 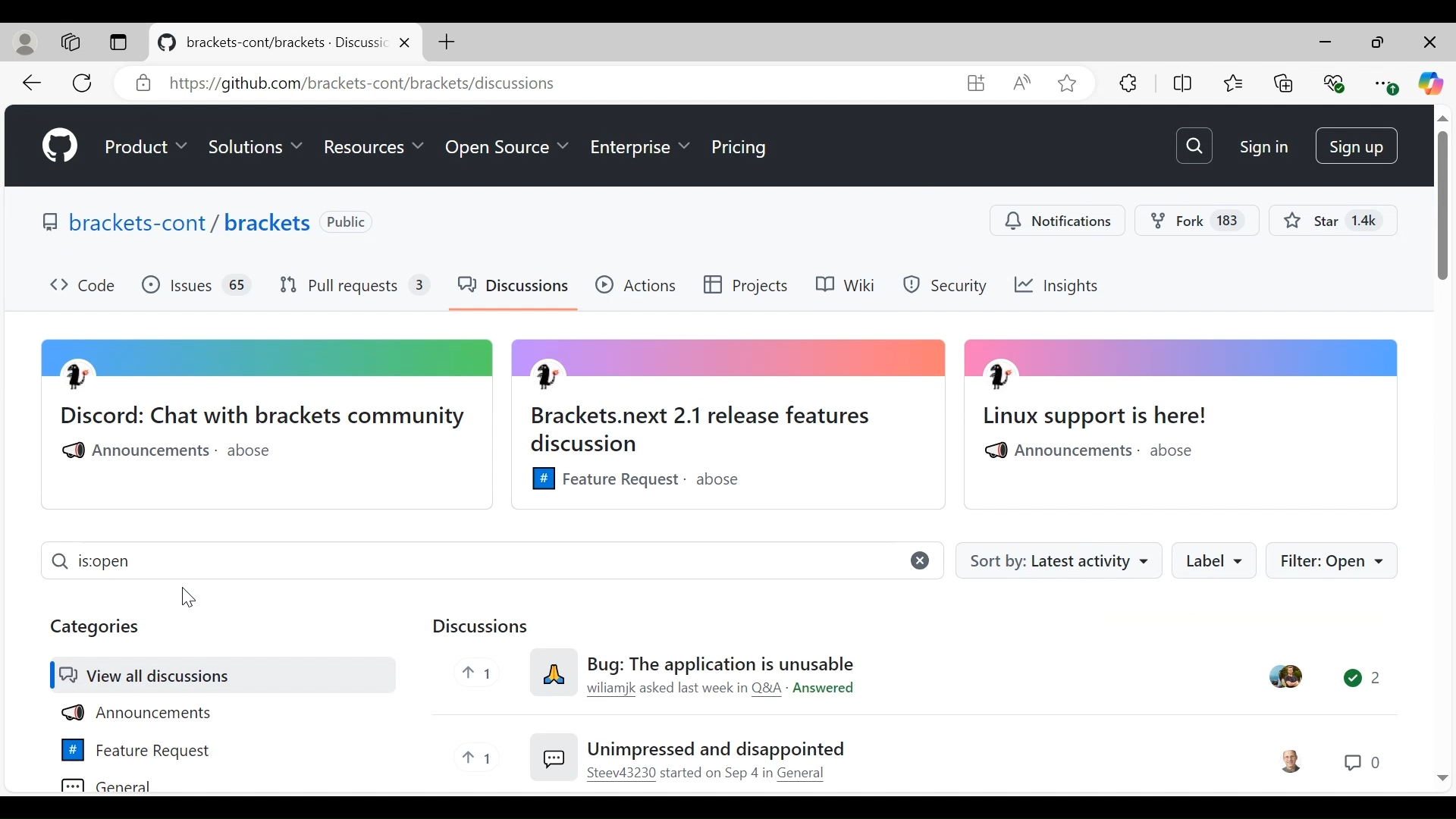 What do you see at coordinates (26, 43) in the screenshot?
I see `Personal` at bounding box center [26, 43].